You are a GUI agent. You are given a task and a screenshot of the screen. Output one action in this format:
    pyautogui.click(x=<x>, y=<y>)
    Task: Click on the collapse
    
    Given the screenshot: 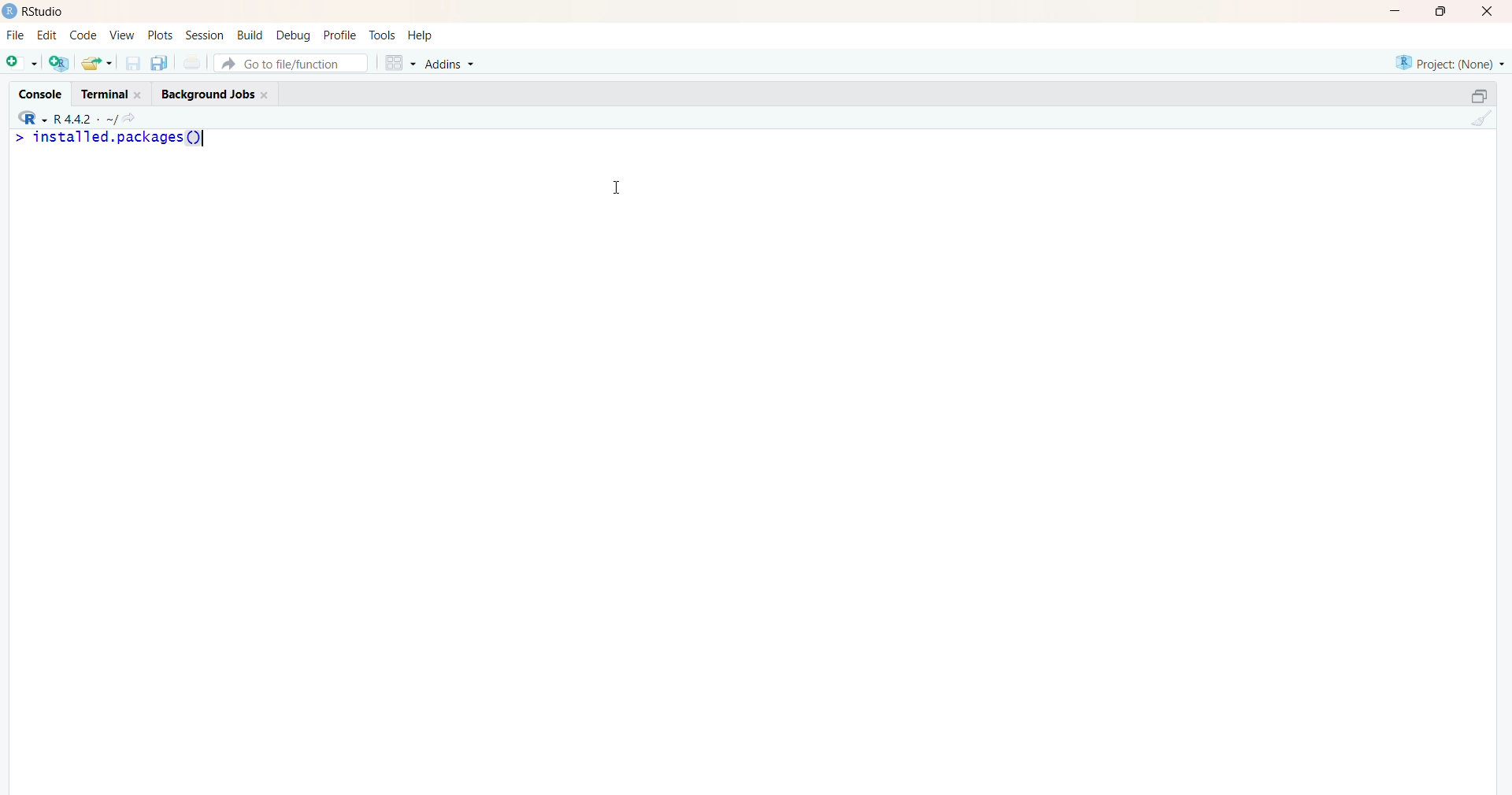 What is the action you would take?
    pyautogui.click(x=1473, y=98)
    